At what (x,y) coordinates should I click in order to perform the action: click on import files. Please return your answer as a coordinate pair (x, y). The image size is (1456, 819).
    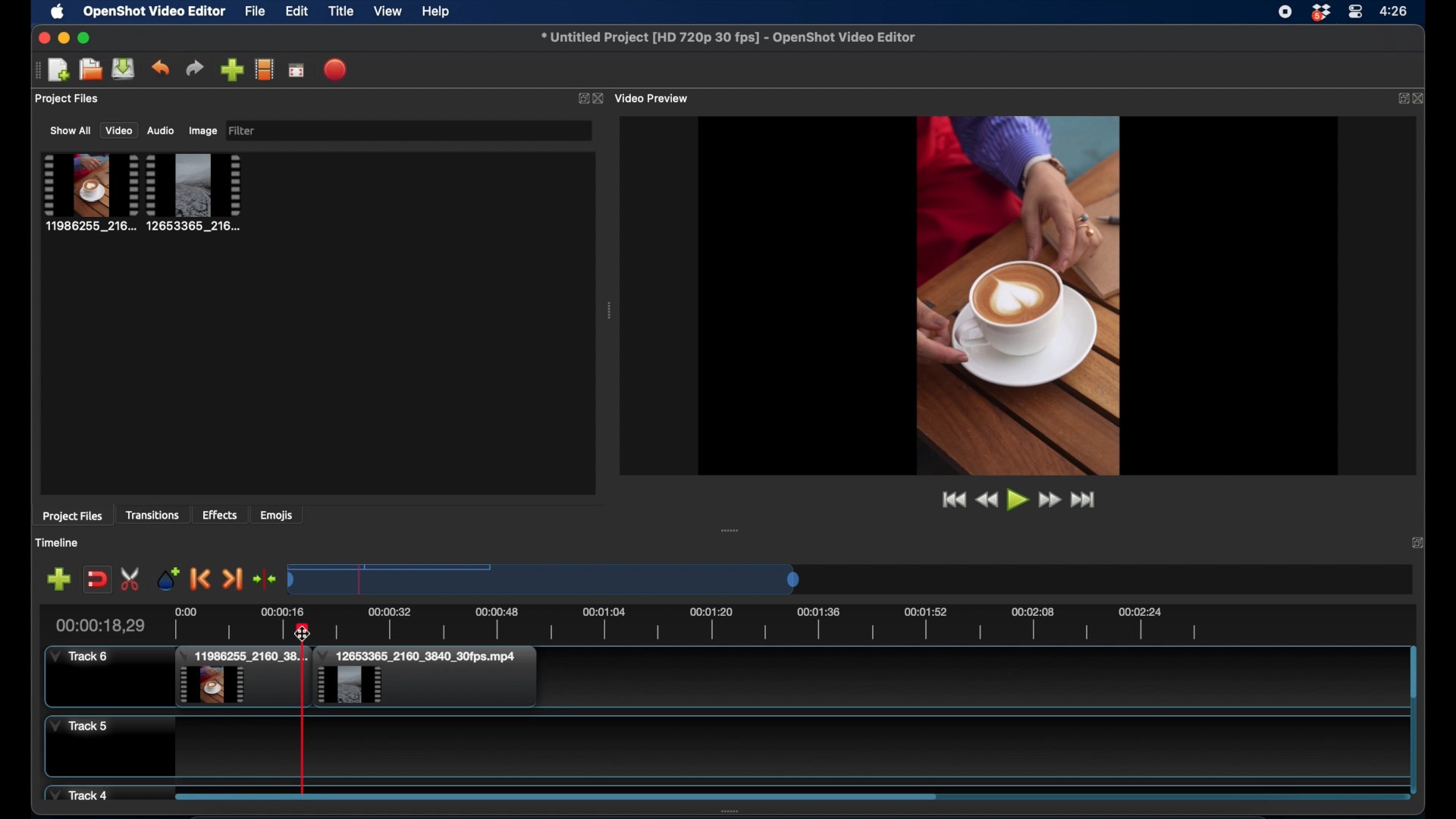
    Looking at the image, I should click on (231, 70).